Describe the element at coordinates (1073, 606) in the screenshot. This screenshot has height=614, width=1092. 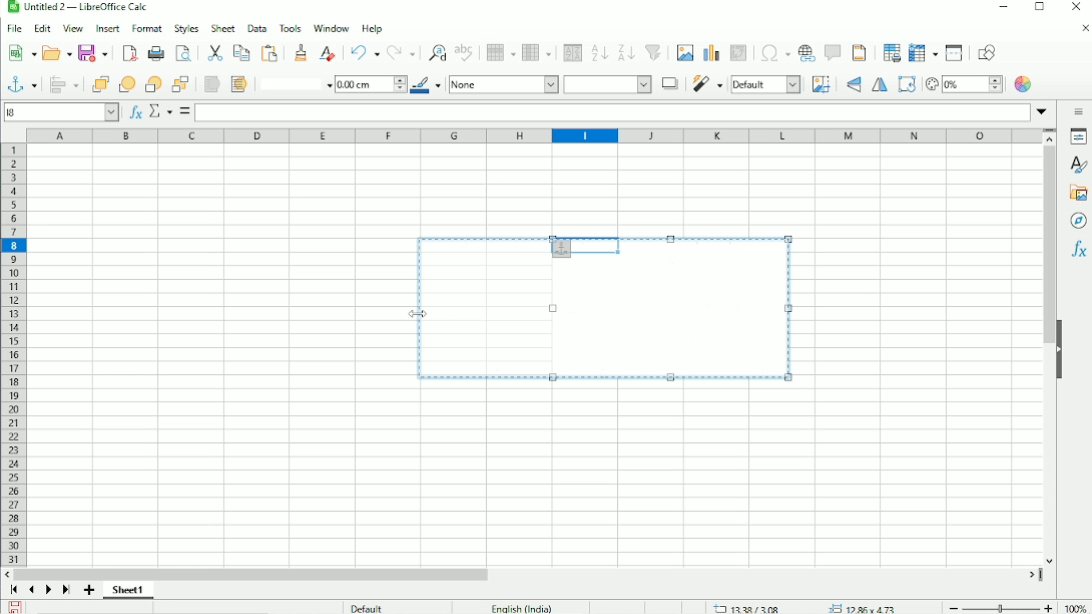
I see `Zoom factor` at that location.